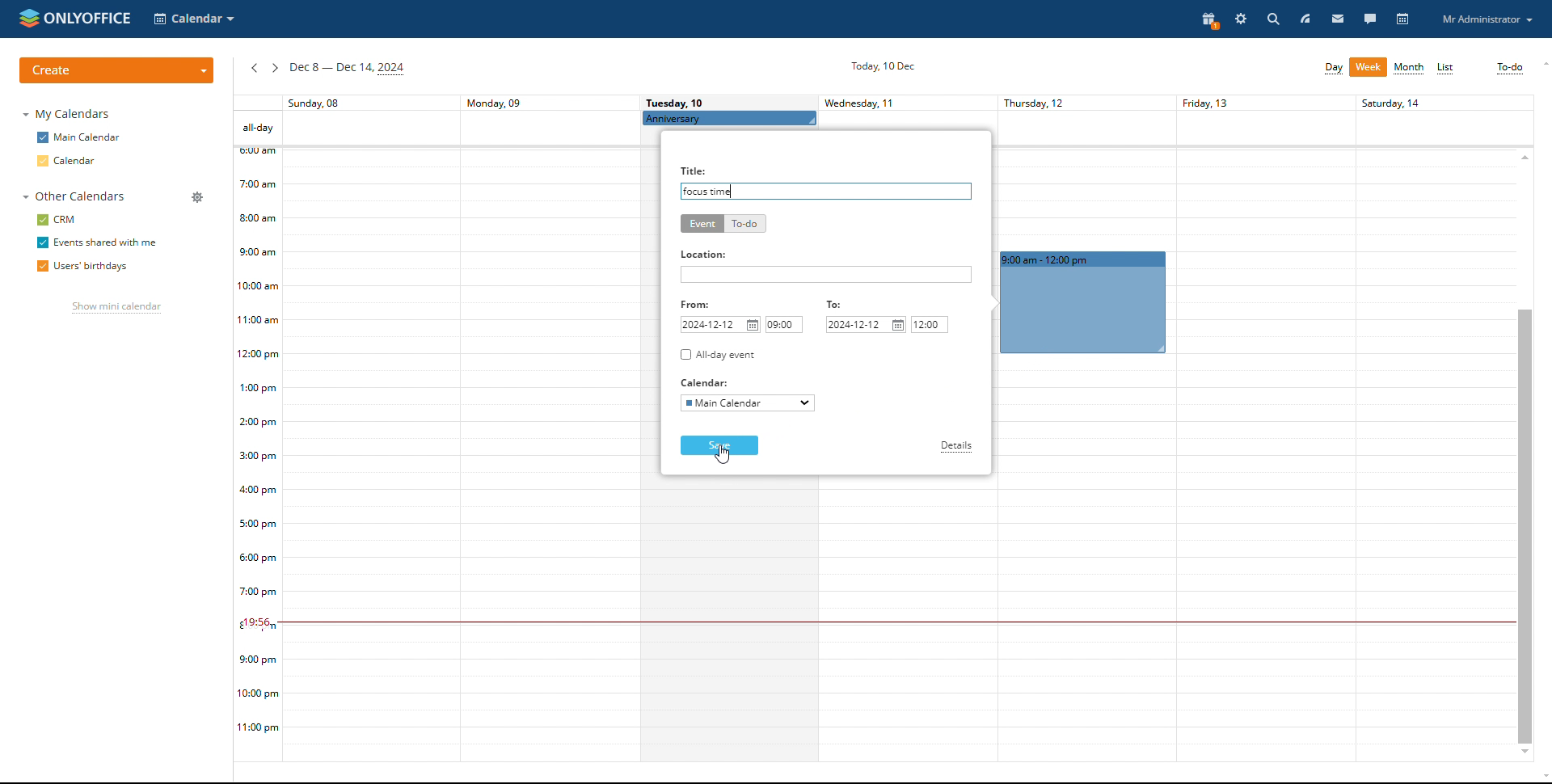 The image size is (1552, 784). Describe the element at coordinates (1404, 19) in the screenshot. I see `calendar` at that location.